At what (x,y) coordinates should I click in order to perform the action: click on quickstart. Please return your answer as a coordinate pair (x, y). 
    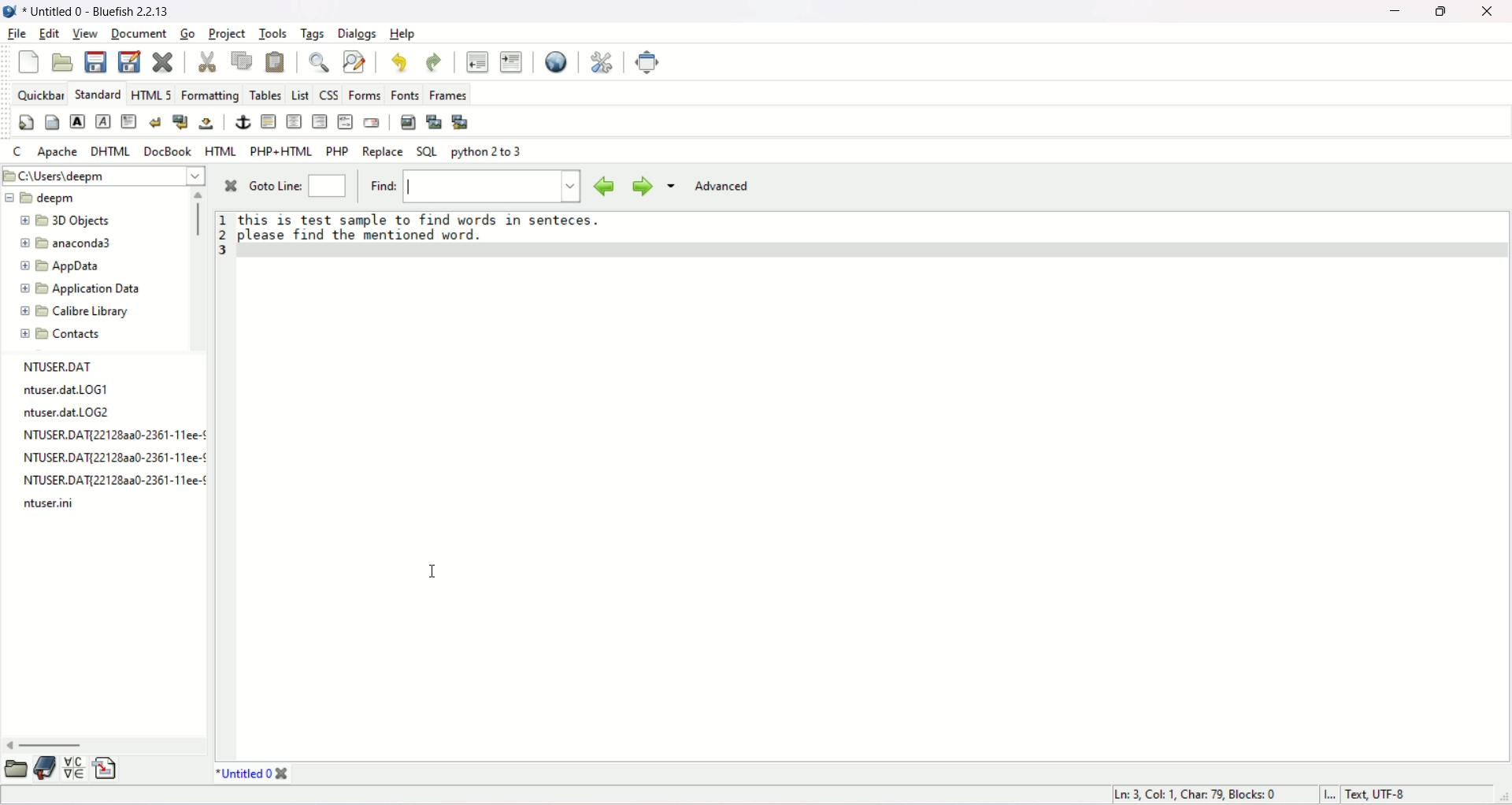
    Looking at the image, I should click on (26, 123).